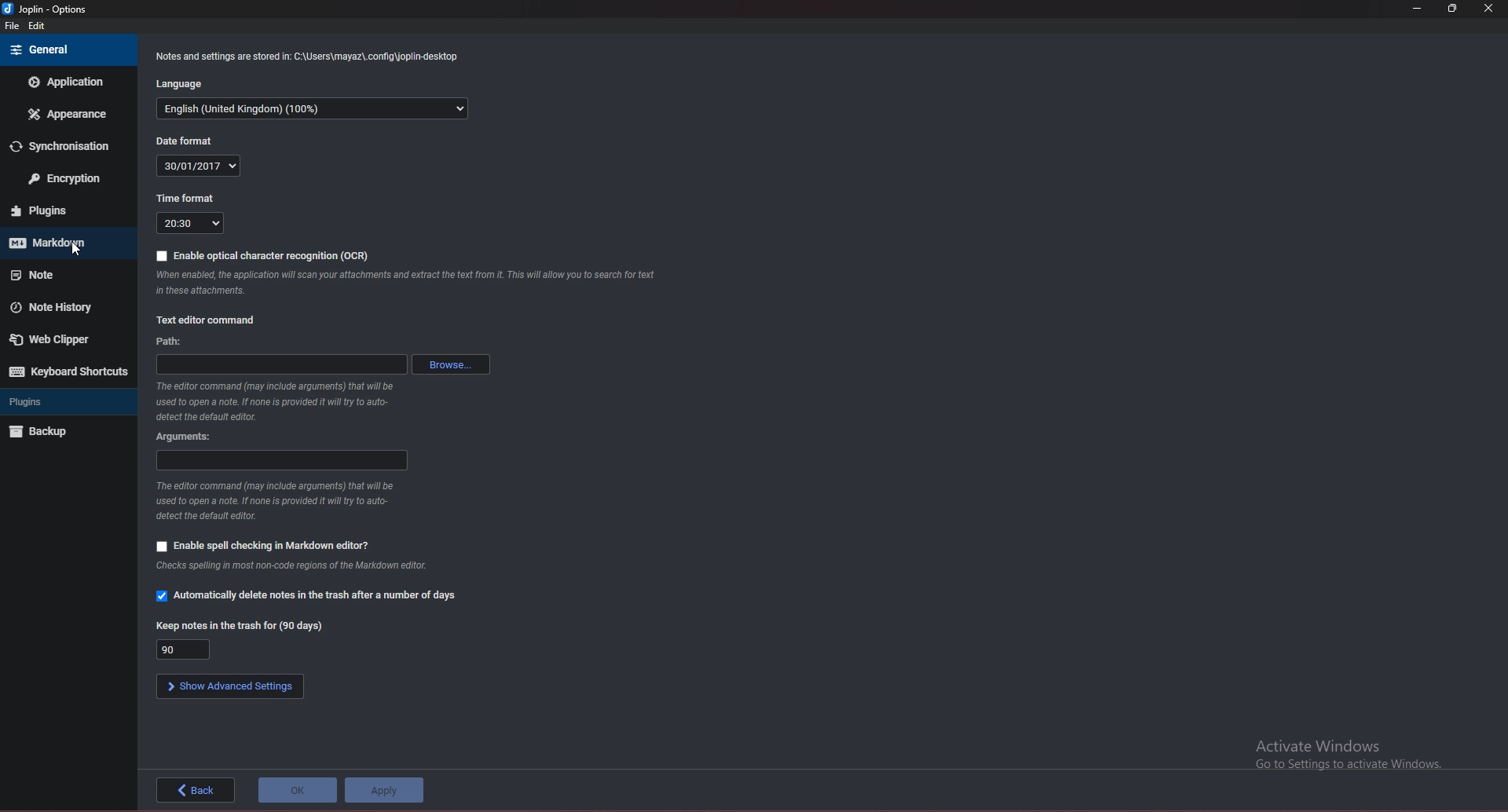 Image resolution: width=1508 pixels, height=812 pixels. I want to click on edit, so click(41, 26).